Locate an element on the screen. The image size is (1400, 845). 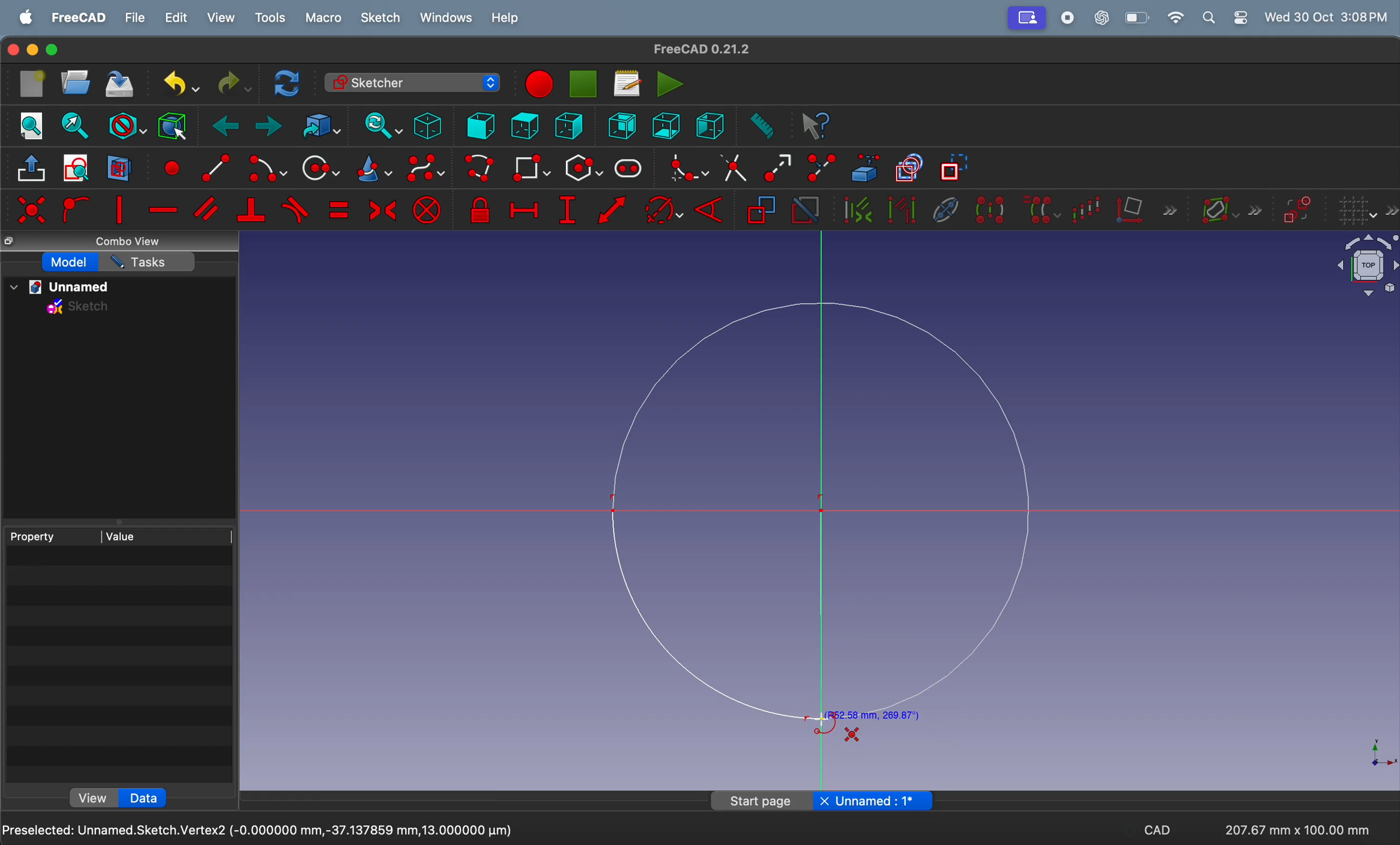
refresh is located at coordinates (289, 82).